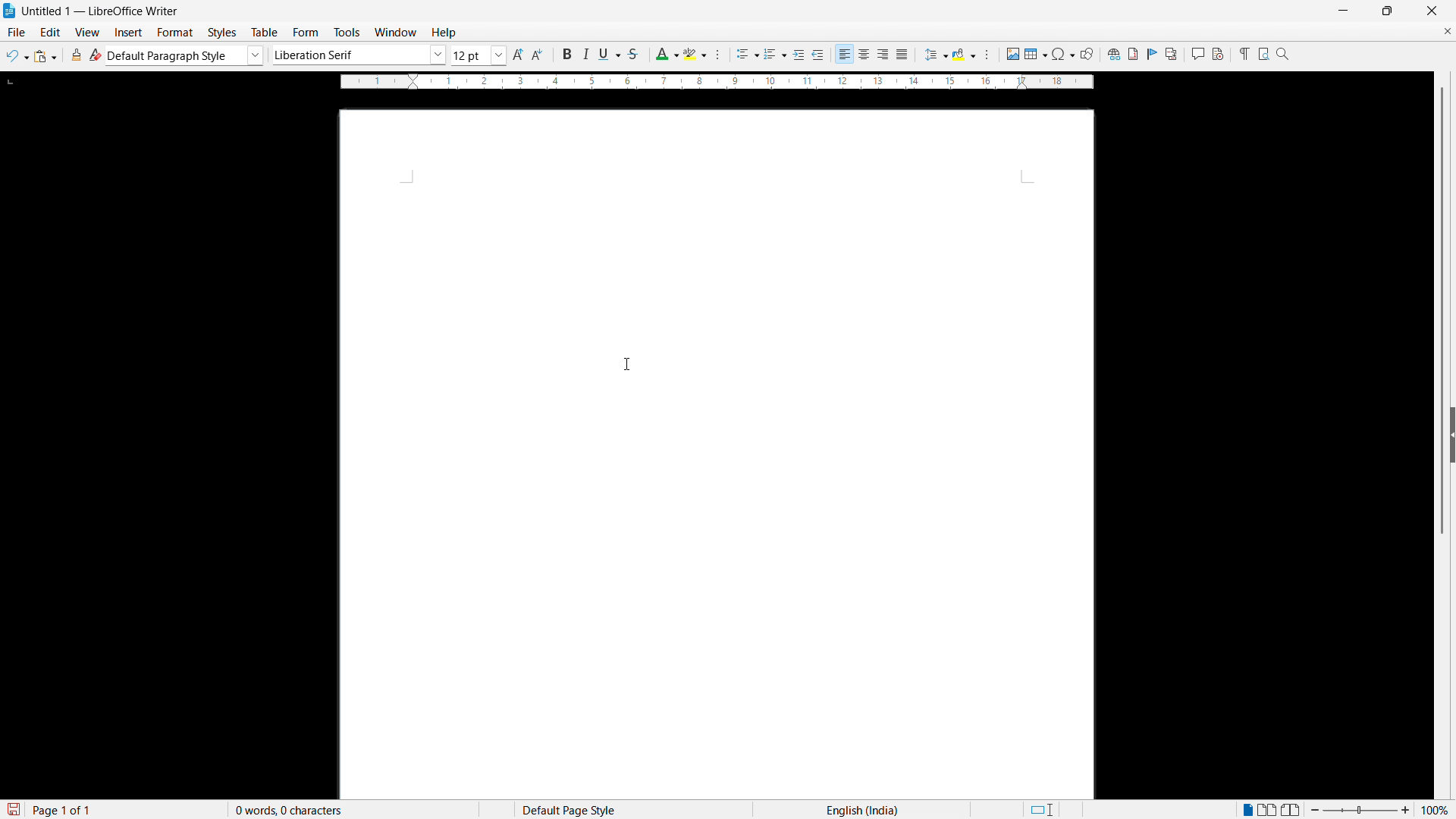 The image size is (1456, 819). Describe the element at coordinates (1453, 435) in the screenshot. I see `Expand ` at that location.